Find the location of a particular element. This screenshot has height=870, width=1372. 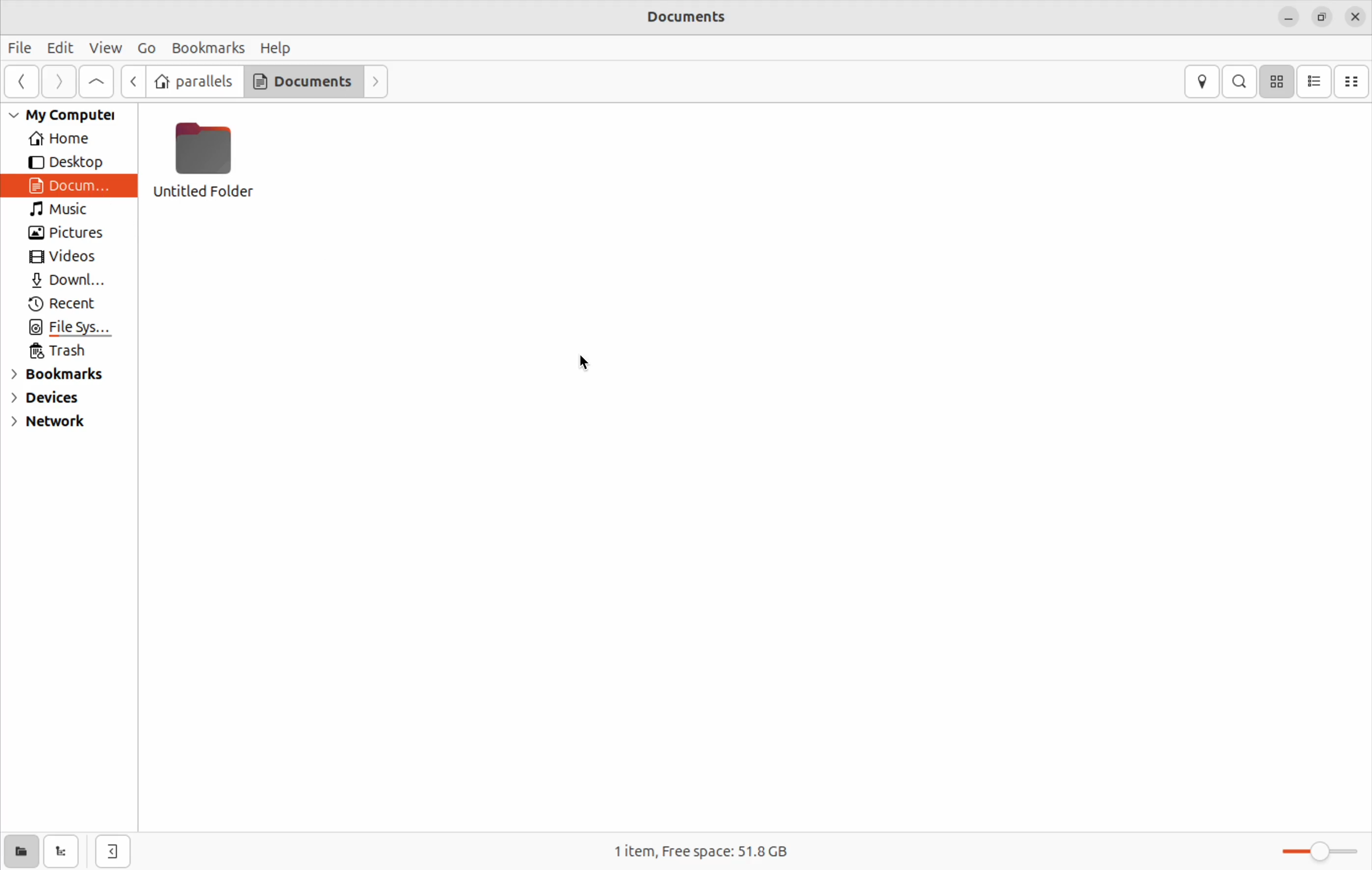

Previous is located at coordinates (24, 80).